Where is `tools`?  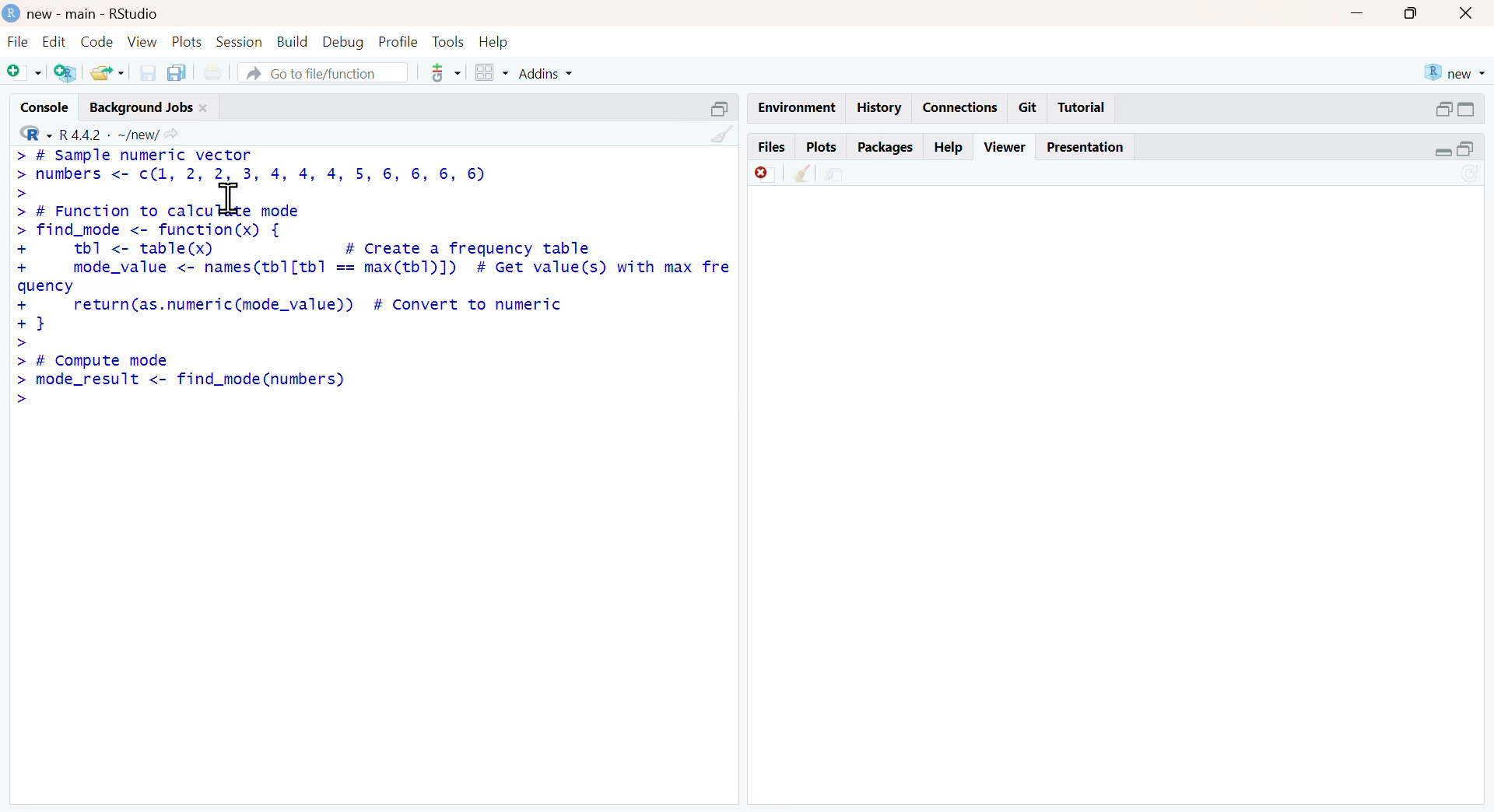 tools is located at coordinates (447, 72).